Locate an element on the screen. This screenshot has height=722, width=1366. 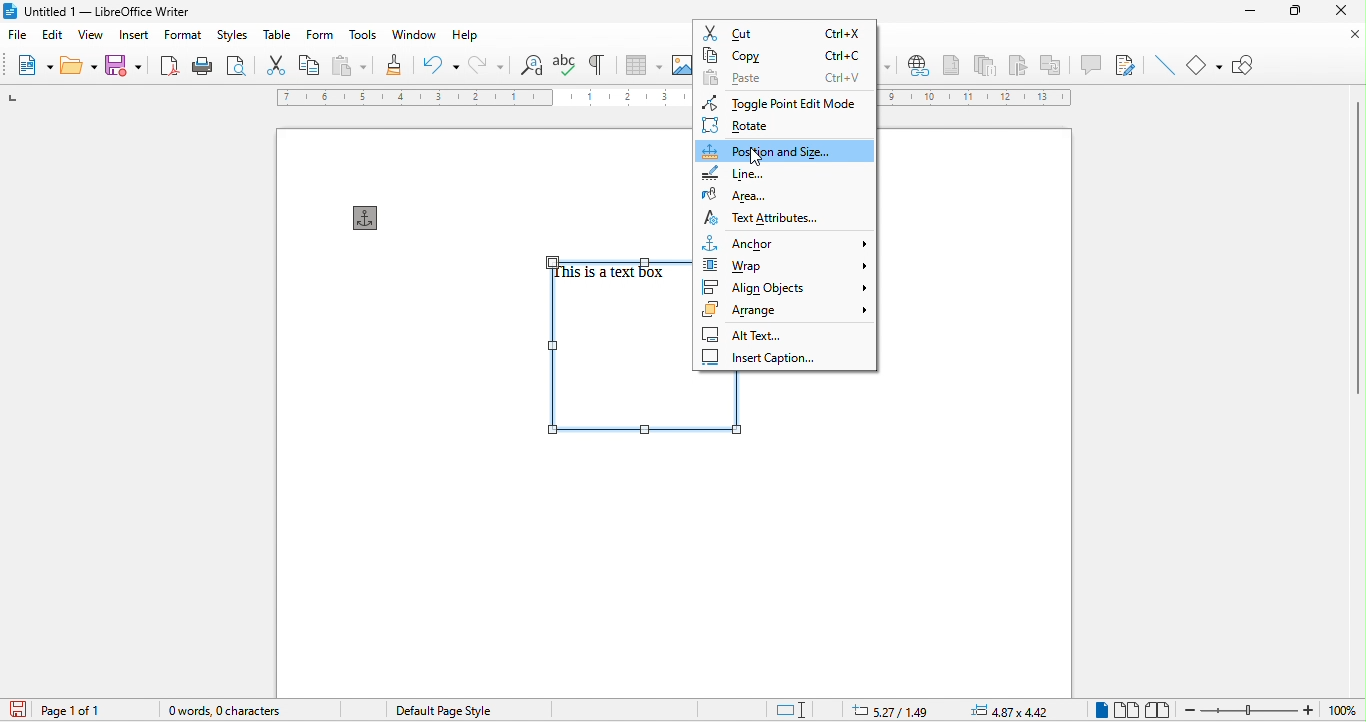
text language is located at coordinates (621, 710).